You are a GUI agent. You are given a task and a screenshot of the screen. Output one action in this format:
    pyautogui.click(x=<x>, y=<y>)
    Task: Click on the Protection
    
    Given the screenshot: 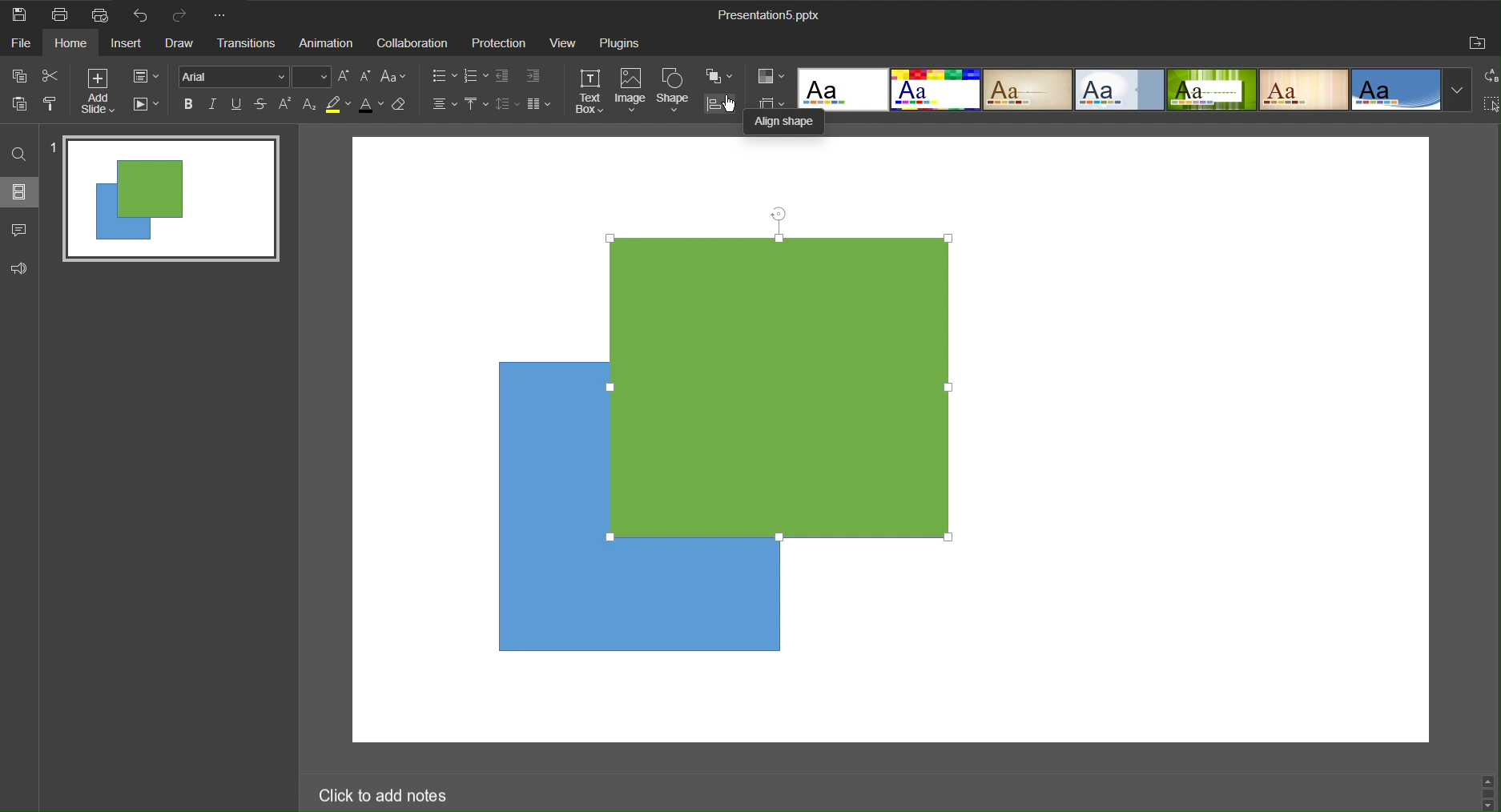 What is the action you would take?
    pyautogui.click(x=501, y=43)
    